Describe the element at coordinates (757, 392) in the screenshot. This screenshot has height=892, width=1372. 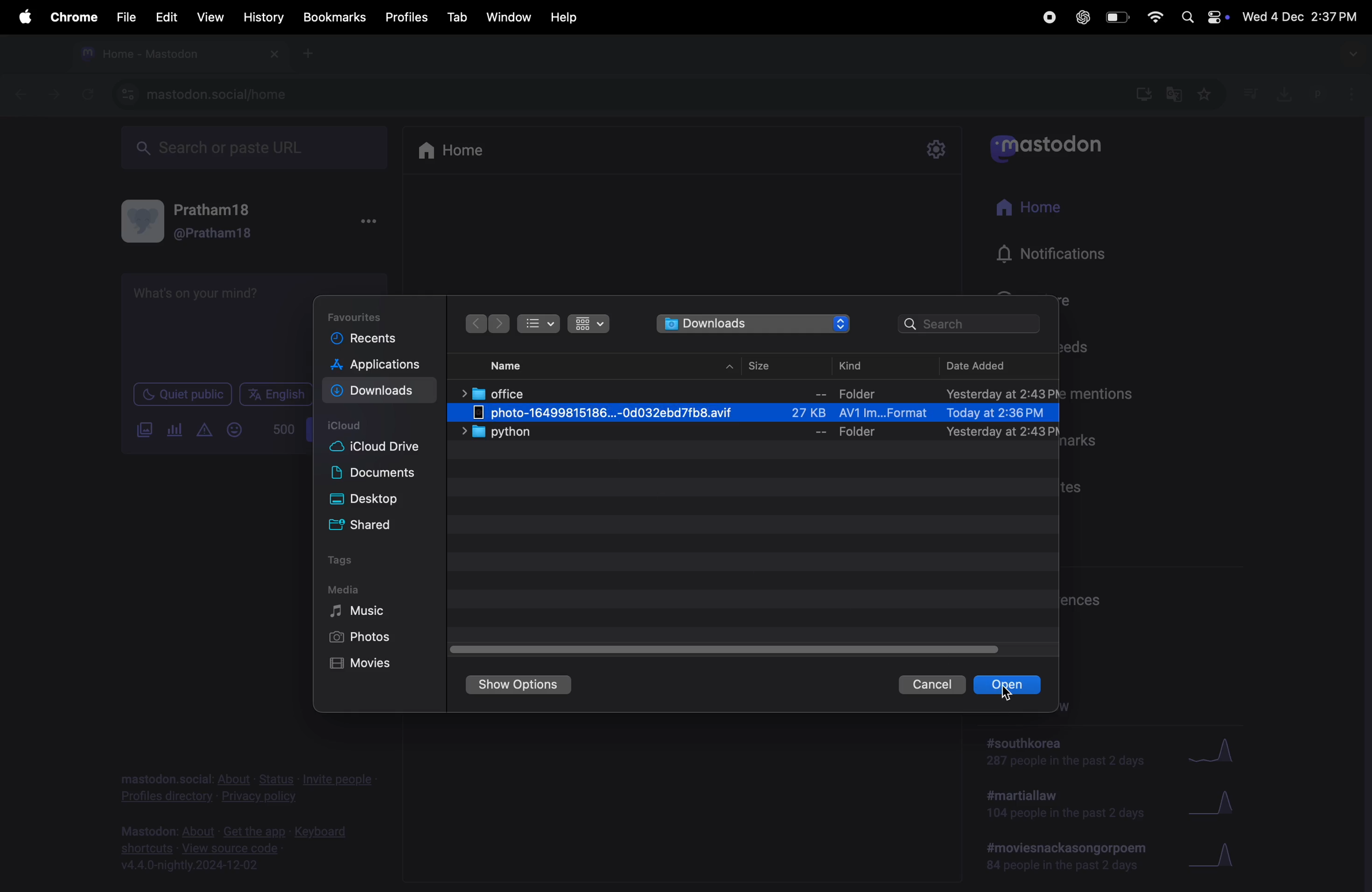
I see `office` at that location.